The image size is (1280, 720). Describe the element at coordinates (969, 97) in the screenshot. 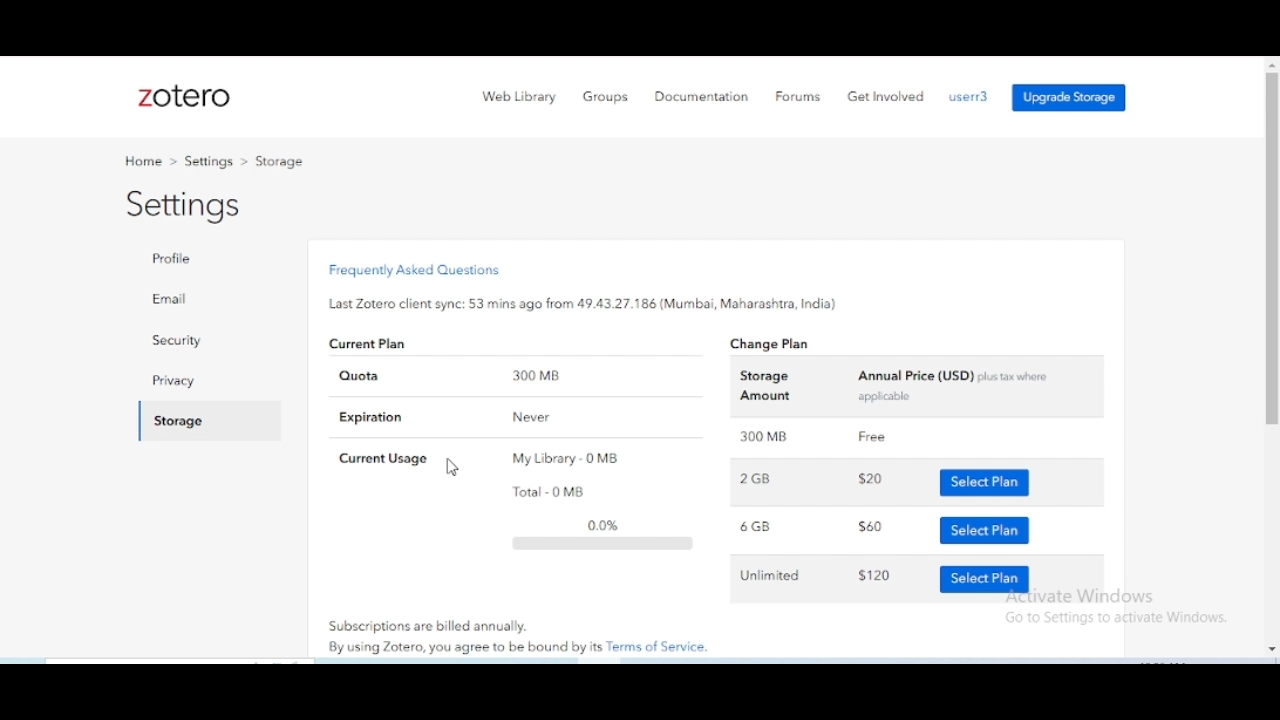

I see `profile` at that location.